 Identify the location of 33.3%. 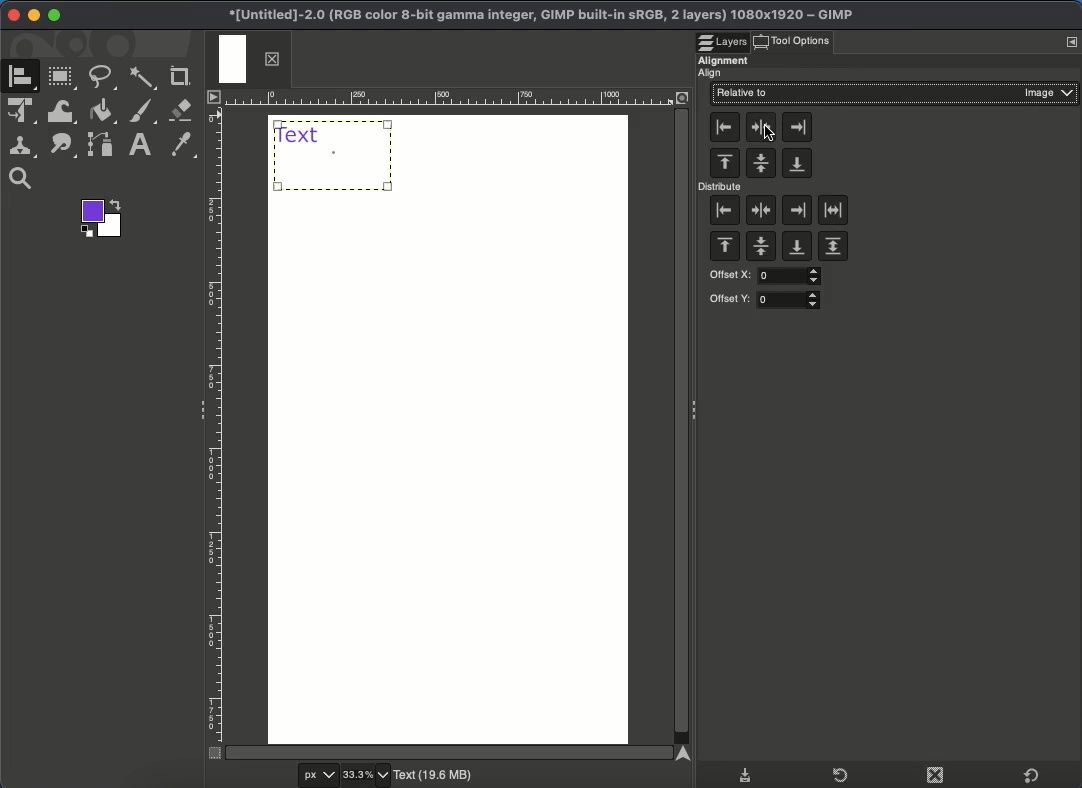
(367, 775).